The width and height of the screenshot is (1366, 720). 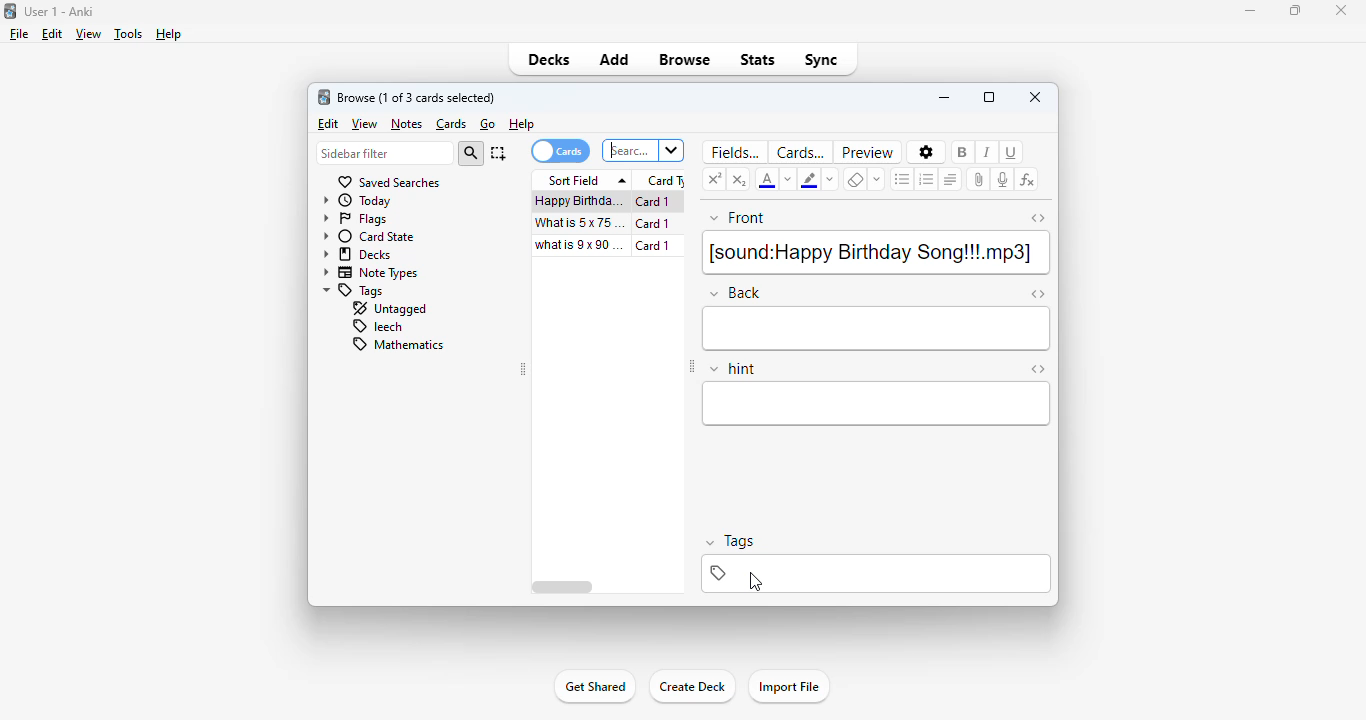 I want to click on logo, so click(x=324, y=97).